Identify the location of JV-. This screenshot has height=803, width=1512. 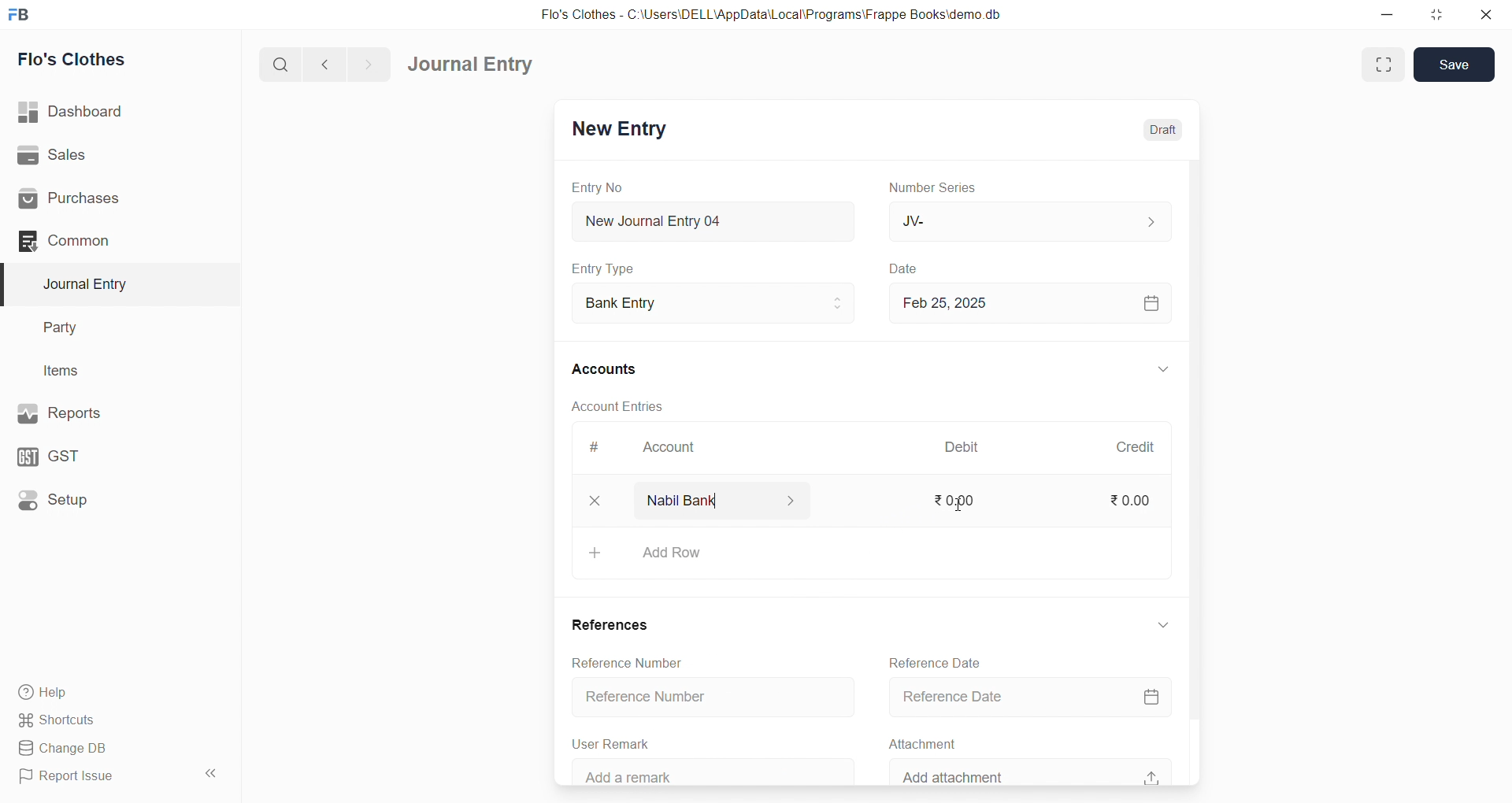
(1027, 220).